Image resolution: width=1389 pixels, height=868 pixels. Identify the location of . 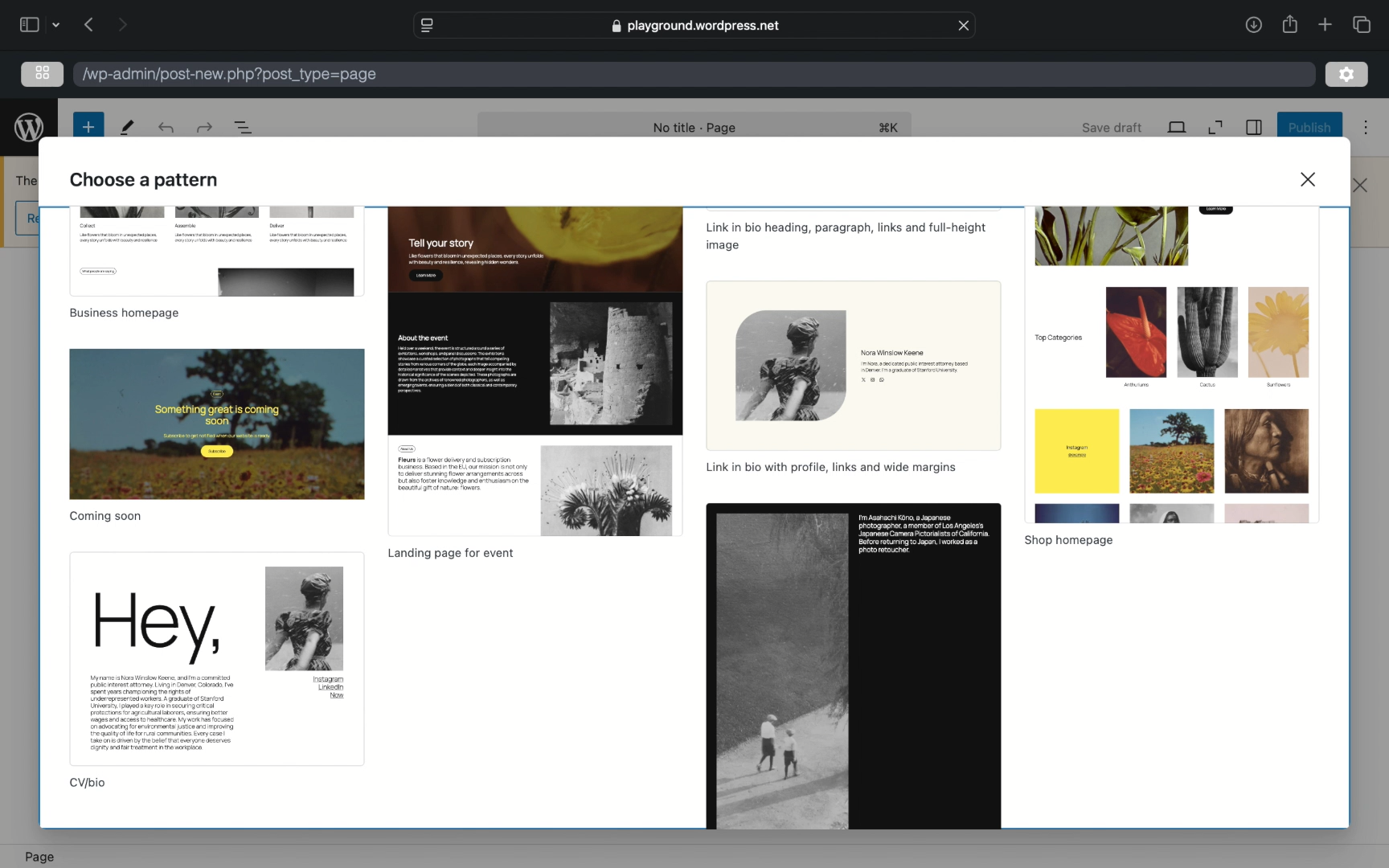
(852, 366).